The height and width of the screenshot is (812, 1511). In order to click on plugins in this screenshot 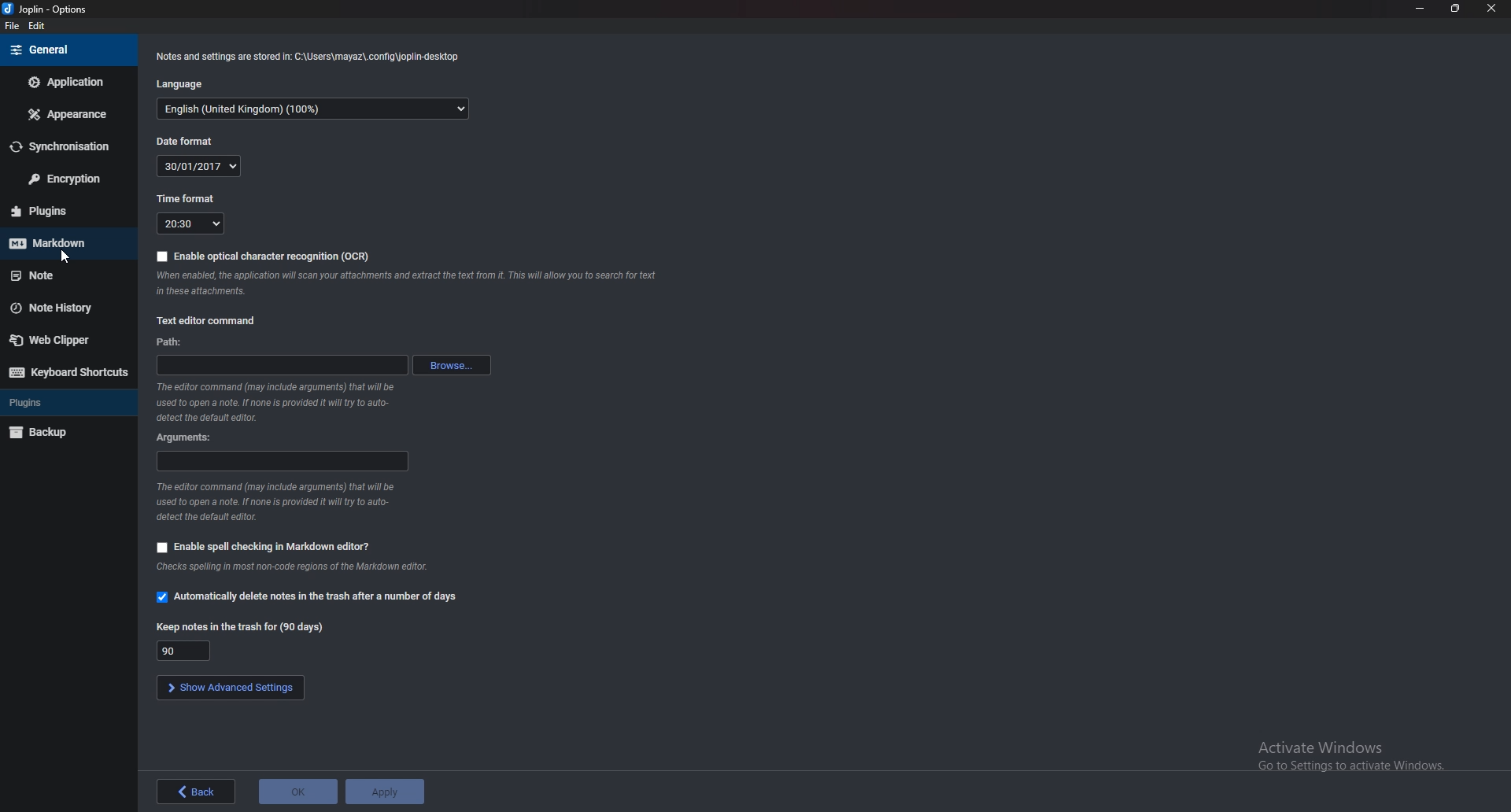, I will do `click(64, 211)`.